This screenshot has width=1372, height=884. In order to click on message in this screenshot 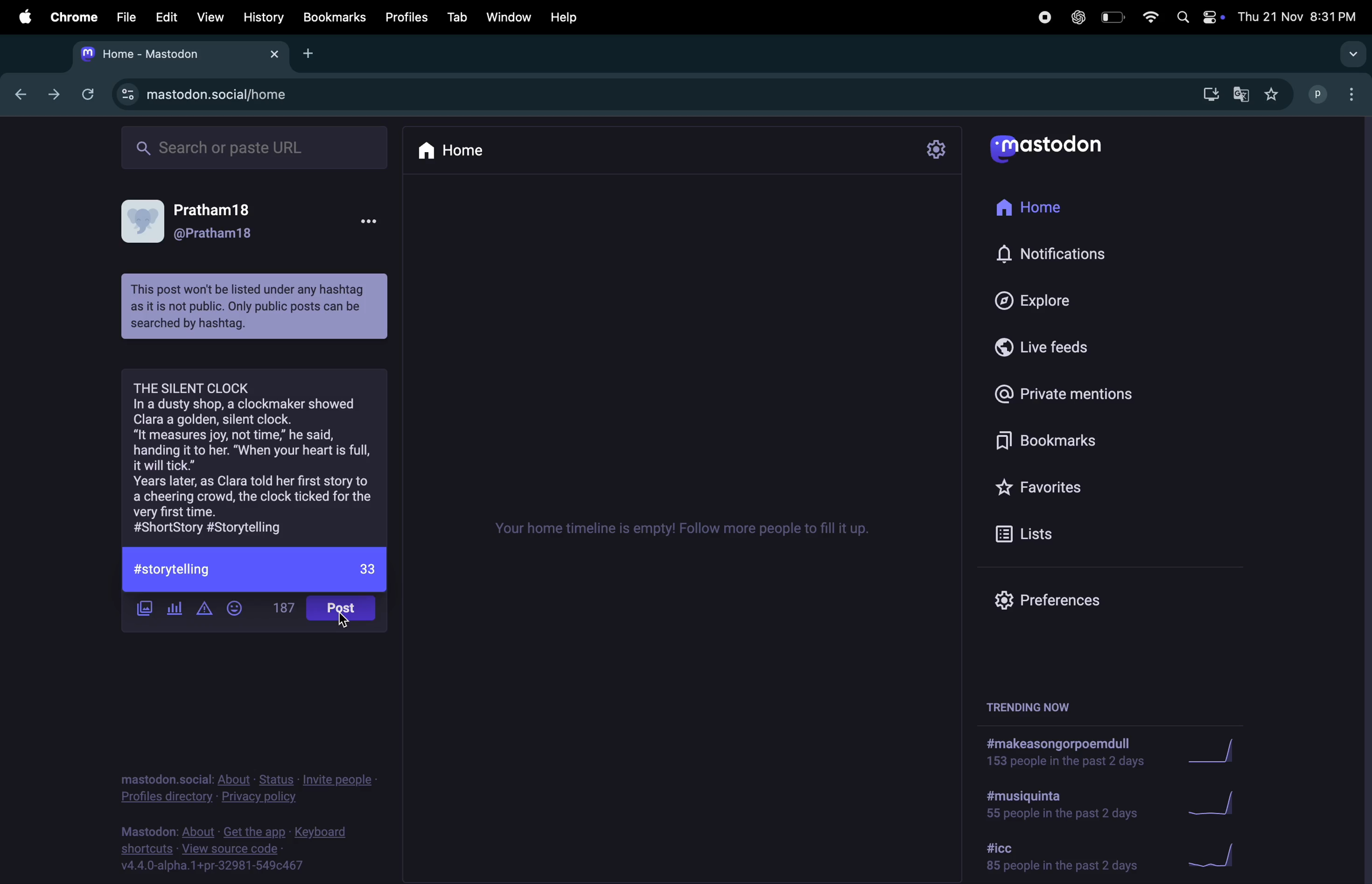, I will do `click(254, 308)`.